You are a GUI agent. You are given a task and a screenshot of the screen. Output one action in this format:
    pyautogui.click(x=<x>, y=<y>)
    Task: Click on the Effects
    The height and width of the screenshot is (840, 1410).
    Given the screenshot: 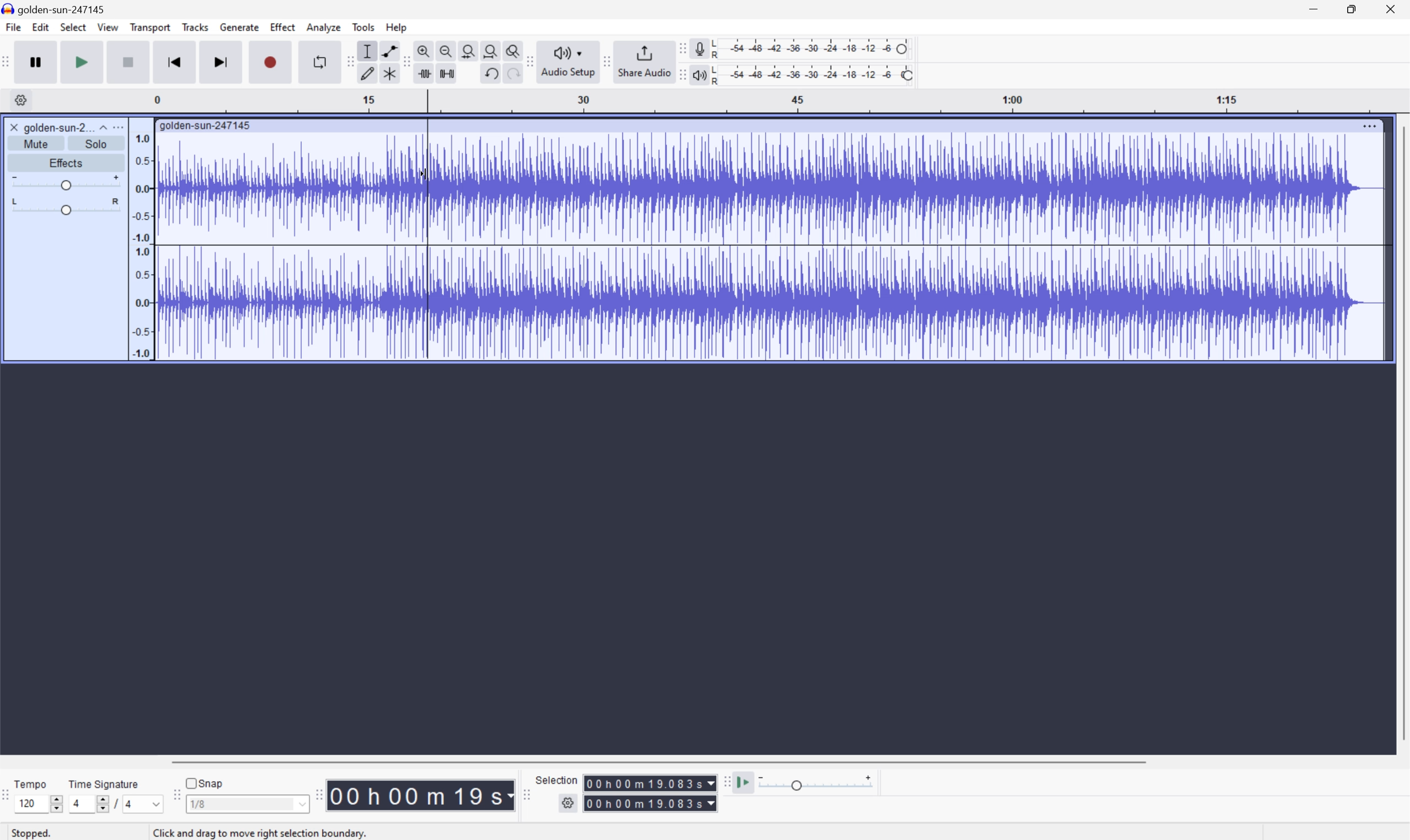 What is the action you would take?
    pyautogui.click(x=66, y=162)
    